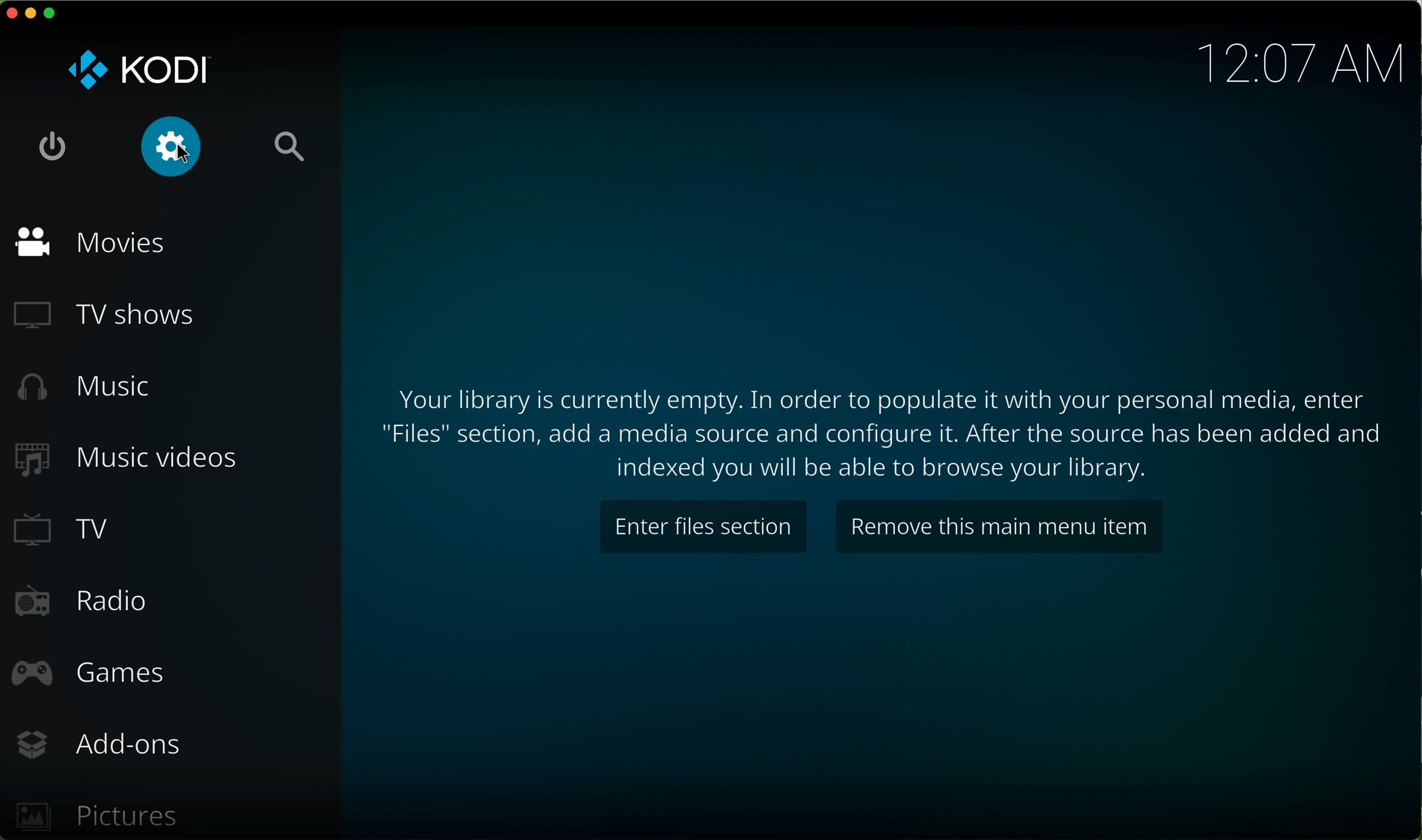 Image resolution: width=1422 pixels, height=840 pixels. Describe the element at coordinates (31, 17) in the screenshot. I see `minimize` at that location.